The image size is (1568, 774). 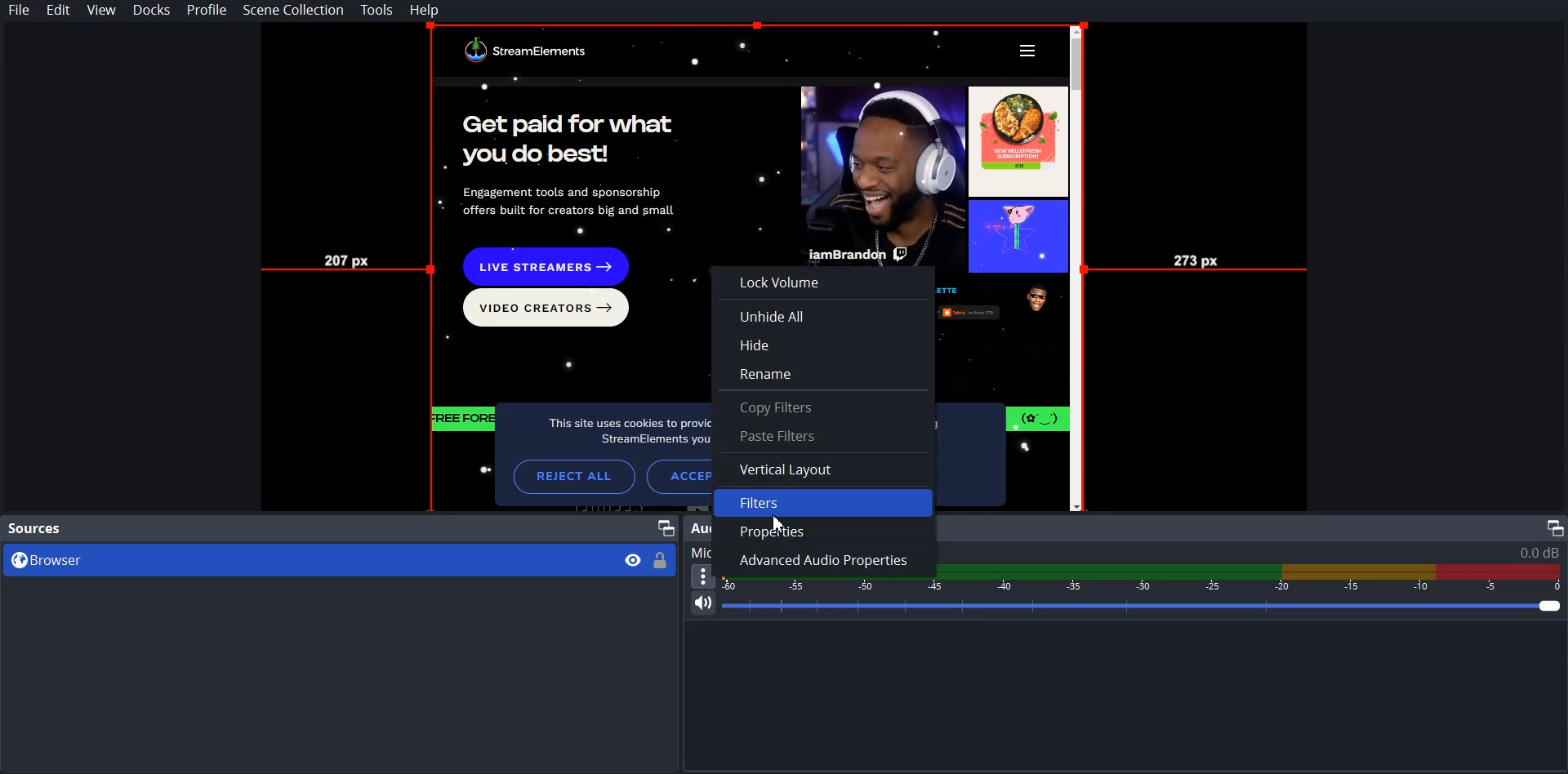 What do you see at coordinates (19, 11) in the screenshot?
I see `File` at bounding box center [19, 11].